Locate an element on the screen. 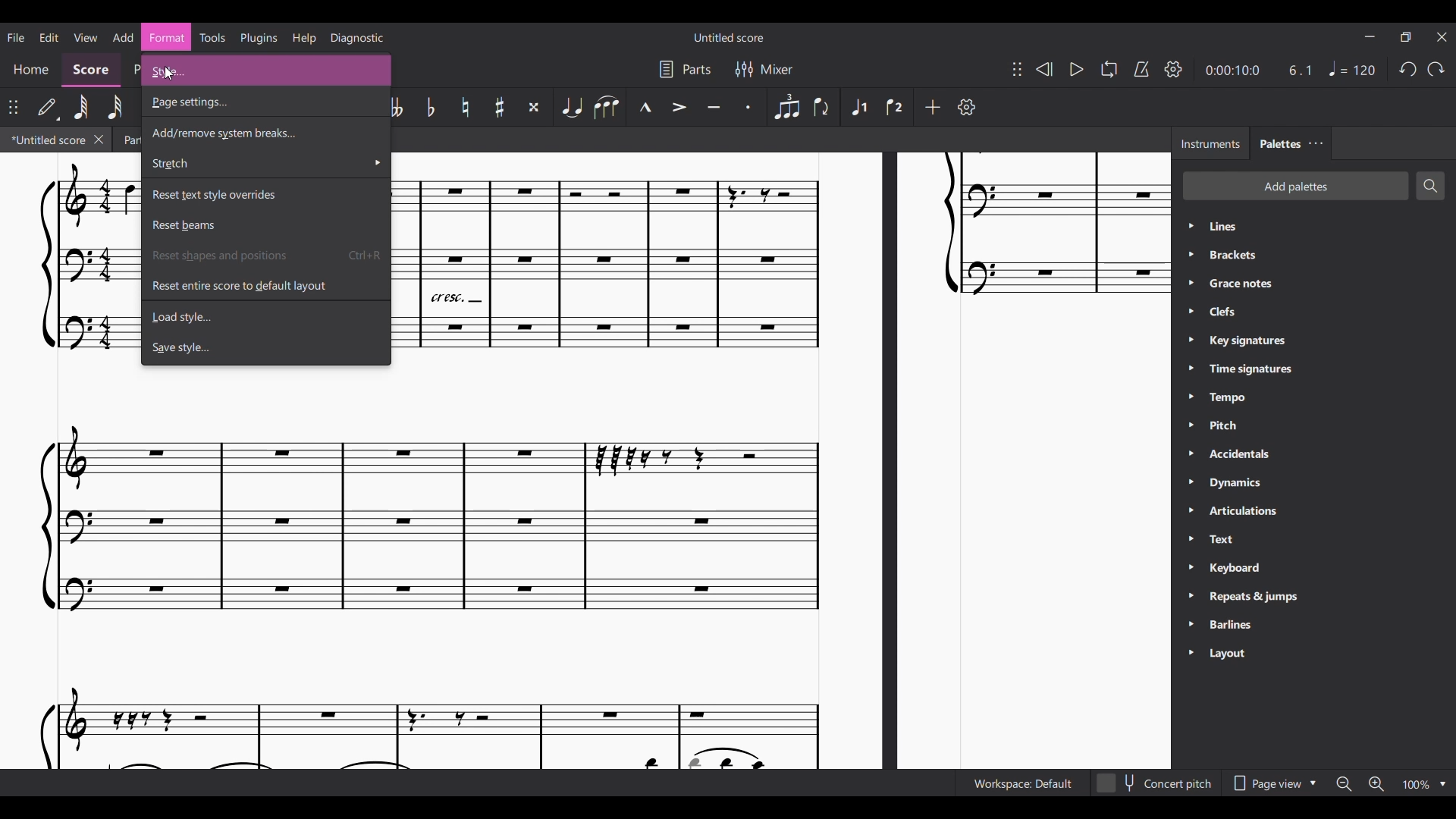 Image resolution: width=1456 pixels, height=819 pixels. 64th note is located at coordinates (81, 108).